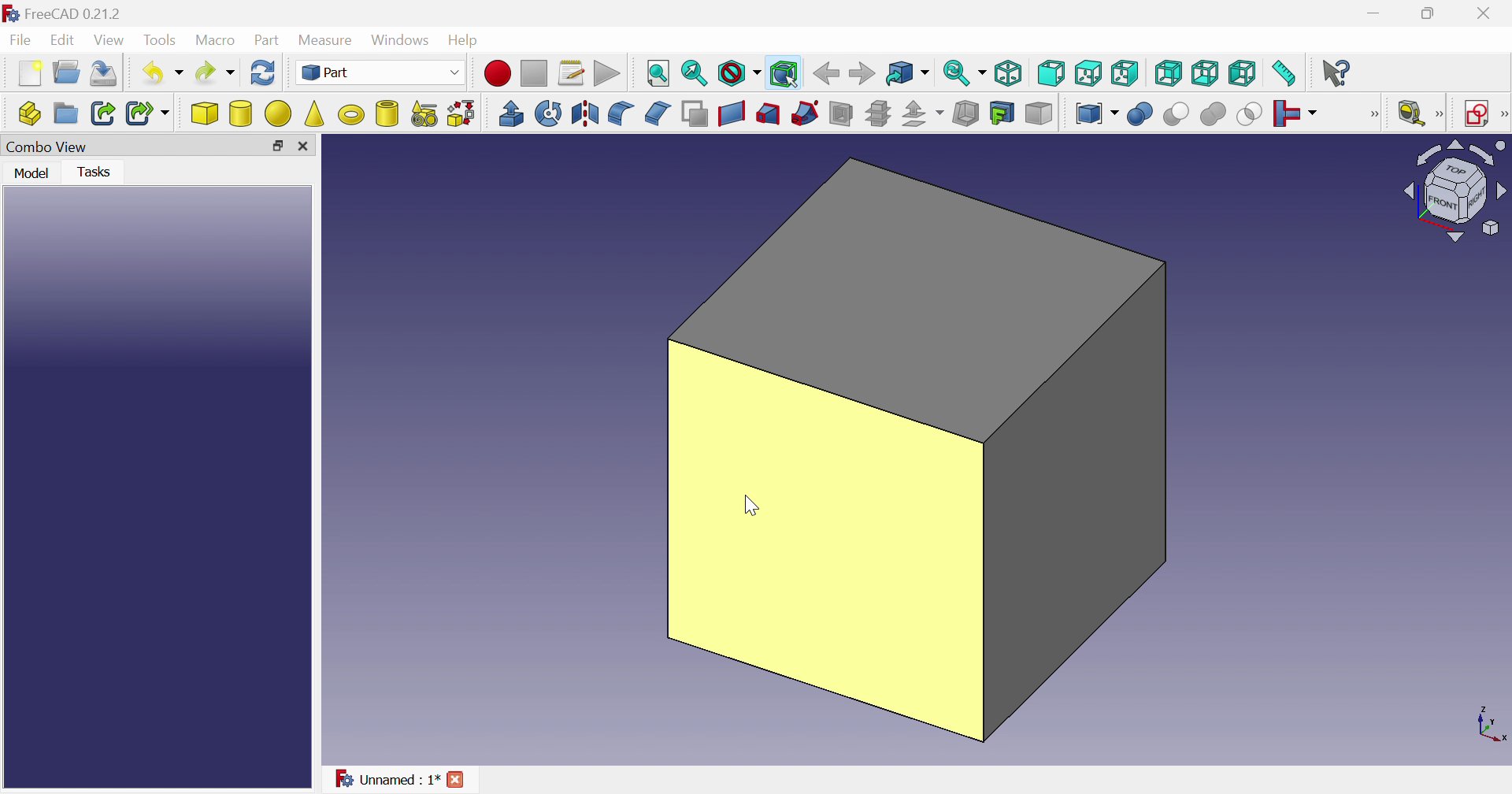  Describe the element at coordinates (1096, 113) in the screenshot. I see `Compound tools` at that location.